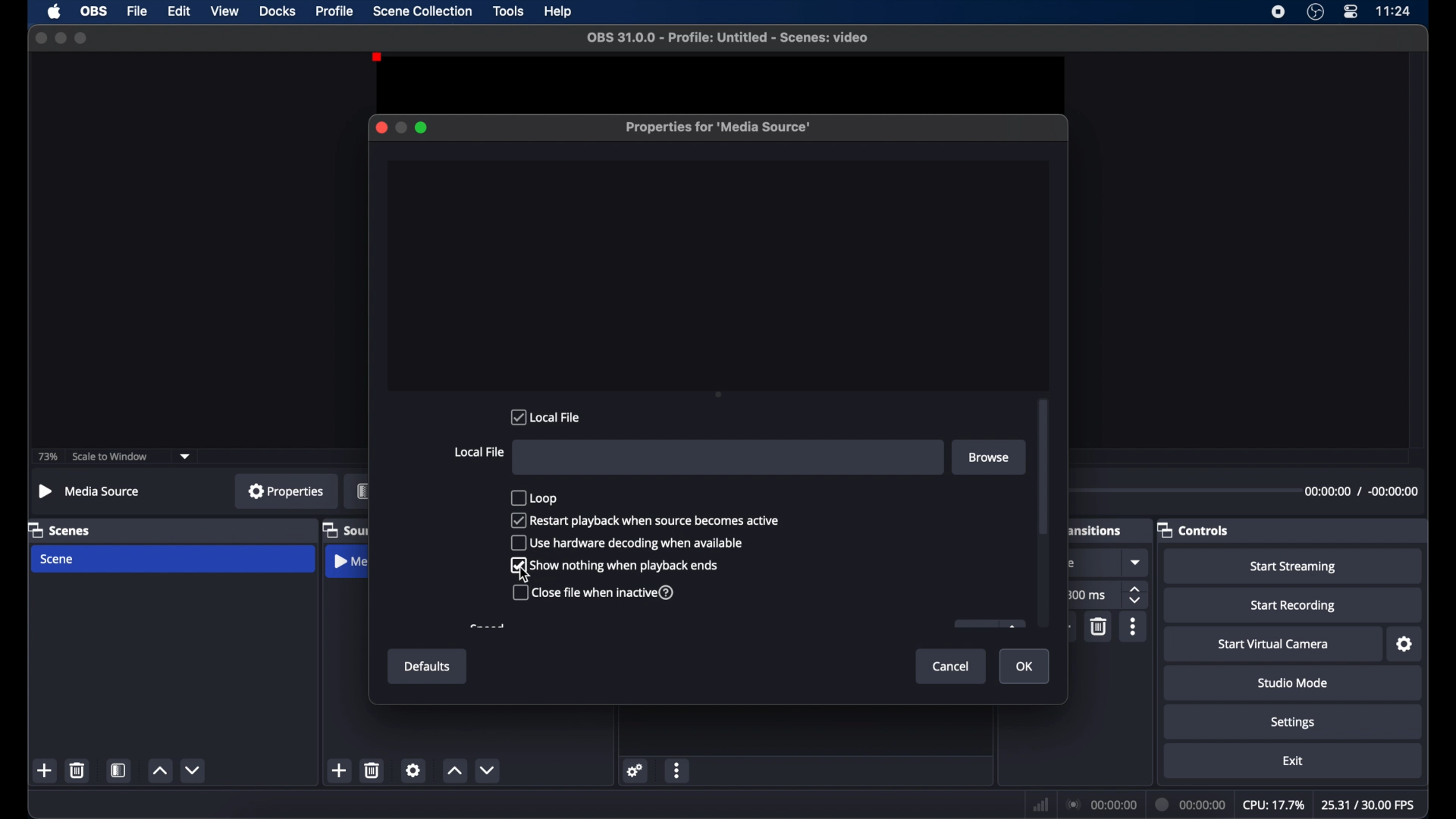 The image size is (1456, 819). What do you see at coordinates (1277, 11) in the screenshot?
I see `screen recorder icon` at bounding box center [1277, 11].